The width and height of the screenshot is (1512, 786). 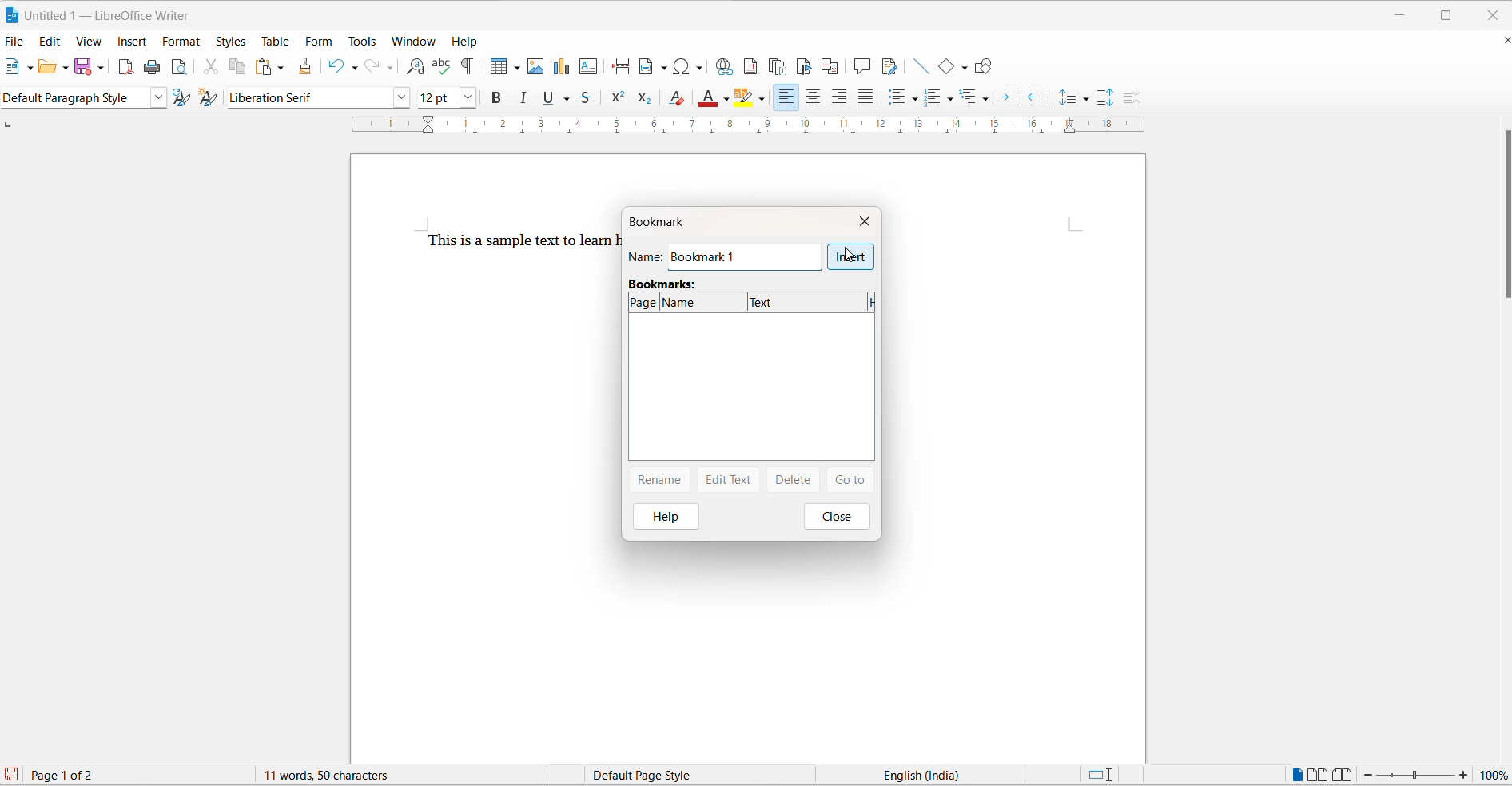 I want to click on edit text, so click(x=729, y=481).